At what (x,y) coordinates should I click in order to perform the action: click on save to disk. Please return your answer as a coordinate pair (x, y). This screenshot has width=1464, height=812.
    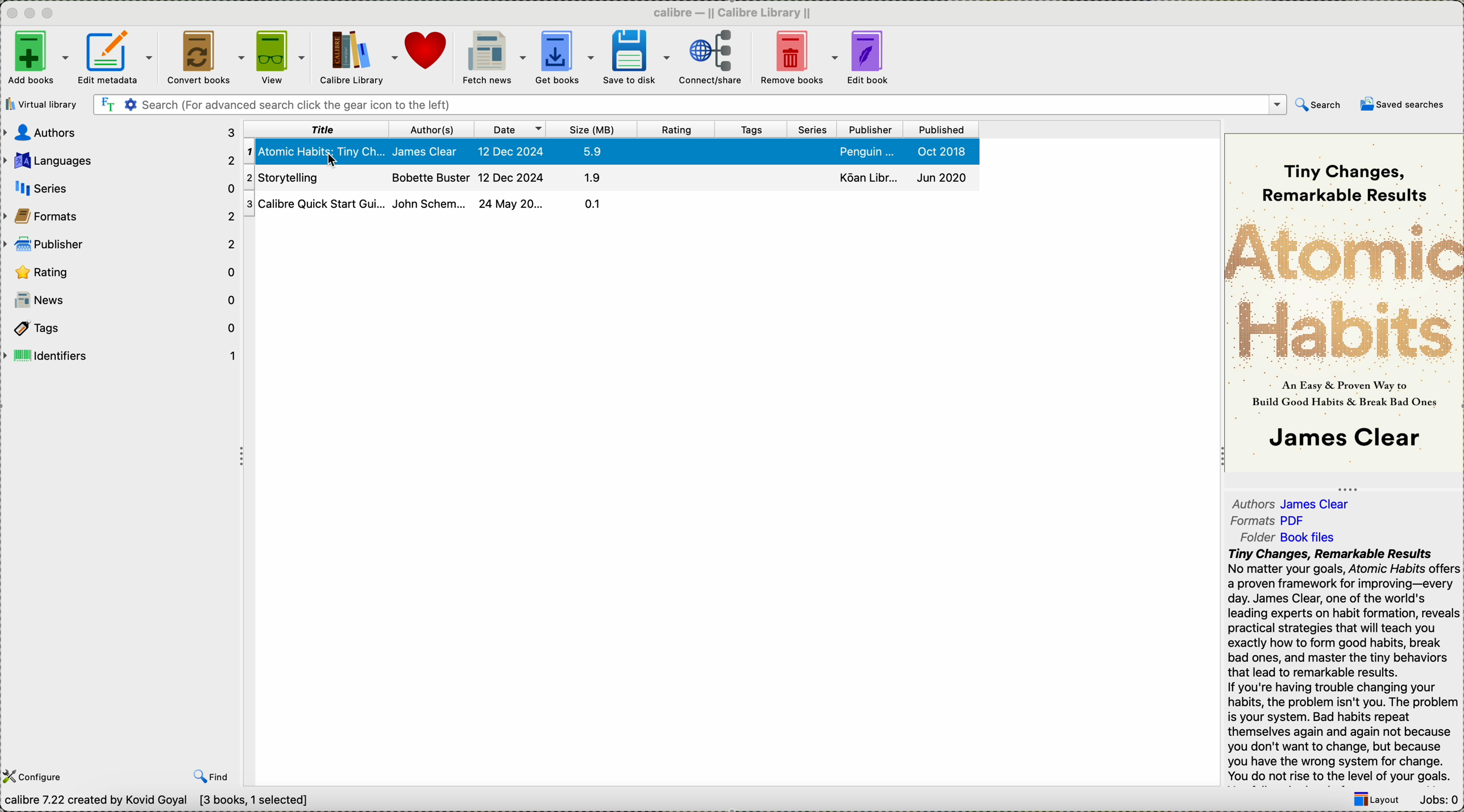
    Looking at the image, I should click on (636, 57).